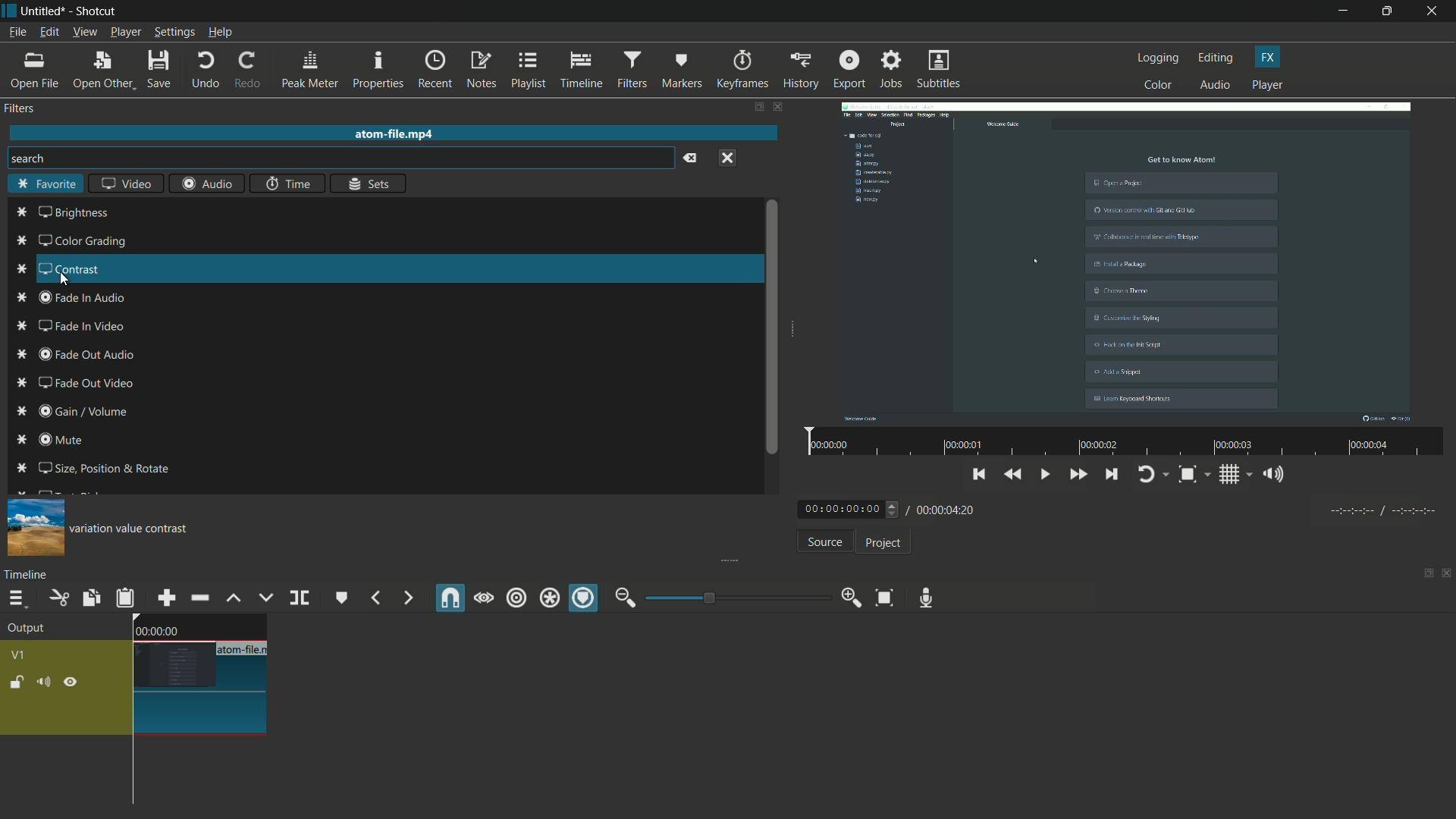 This screenshot has height=819, width=1456. I want to click on ripple, so click(516, 598).